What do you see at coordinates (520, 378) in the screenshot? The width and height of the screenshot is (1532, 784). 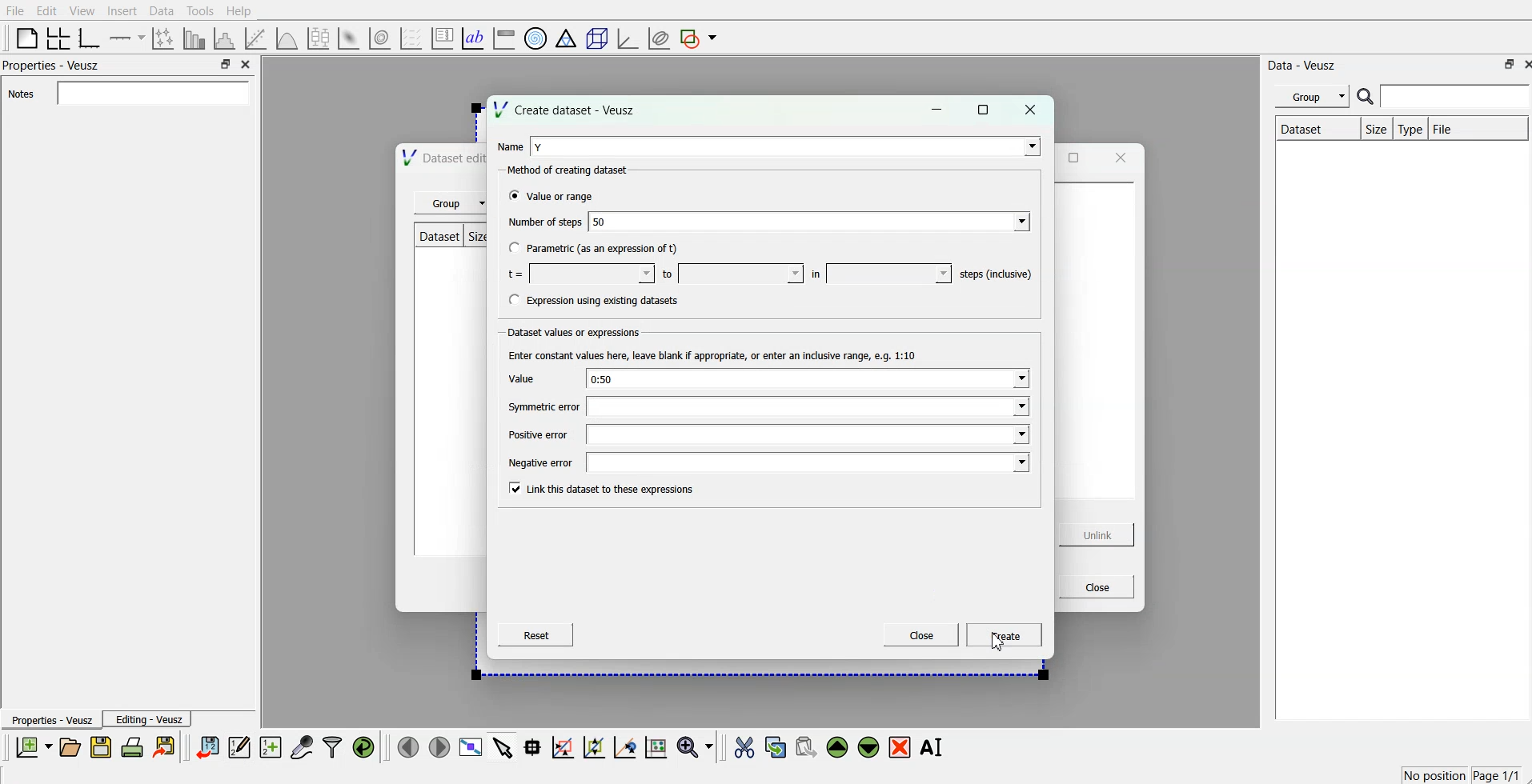 I see `value` at bounding box center [520, 378].